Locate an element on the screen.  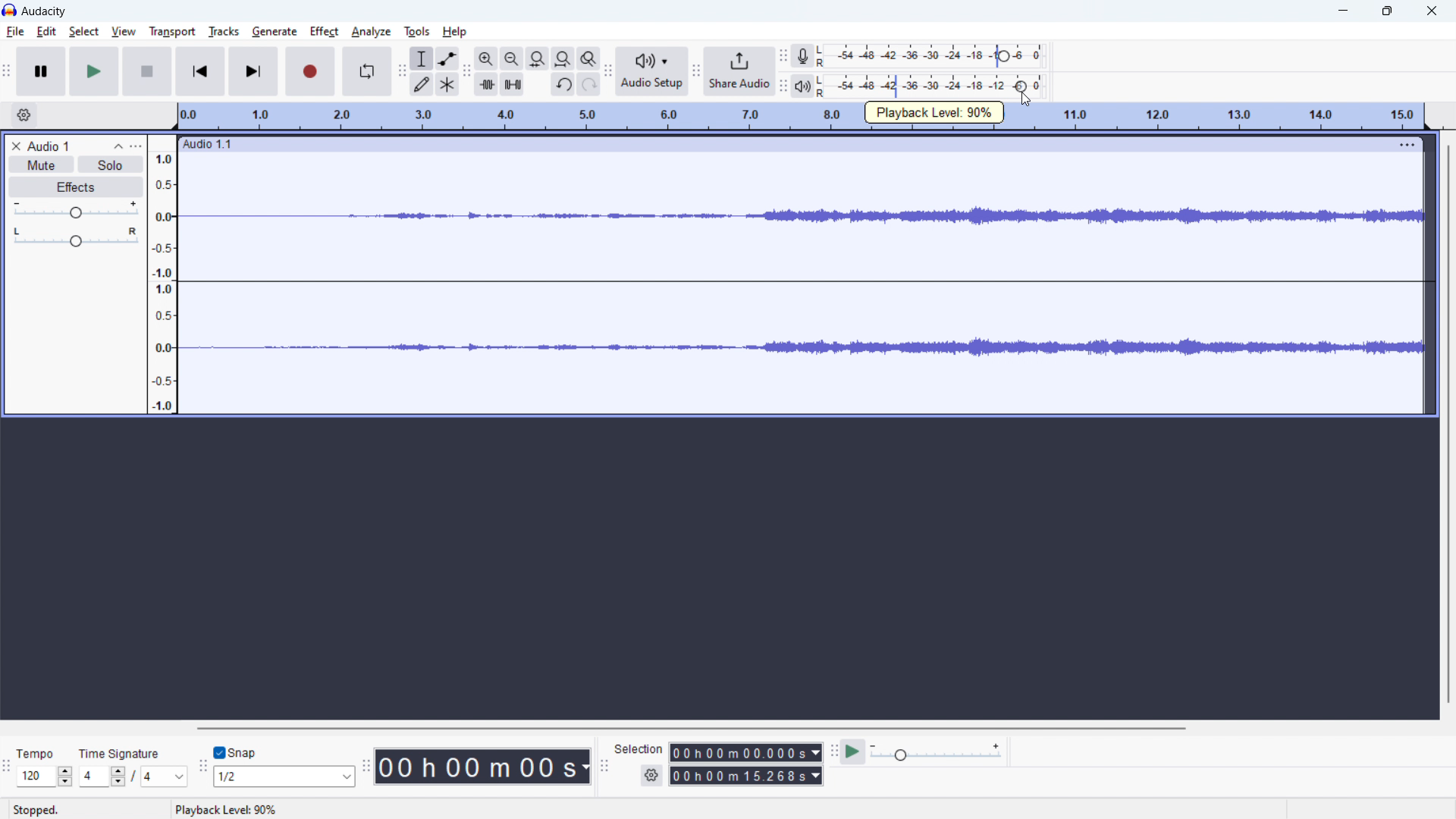
selection tool is located at coordinates (422, 58).